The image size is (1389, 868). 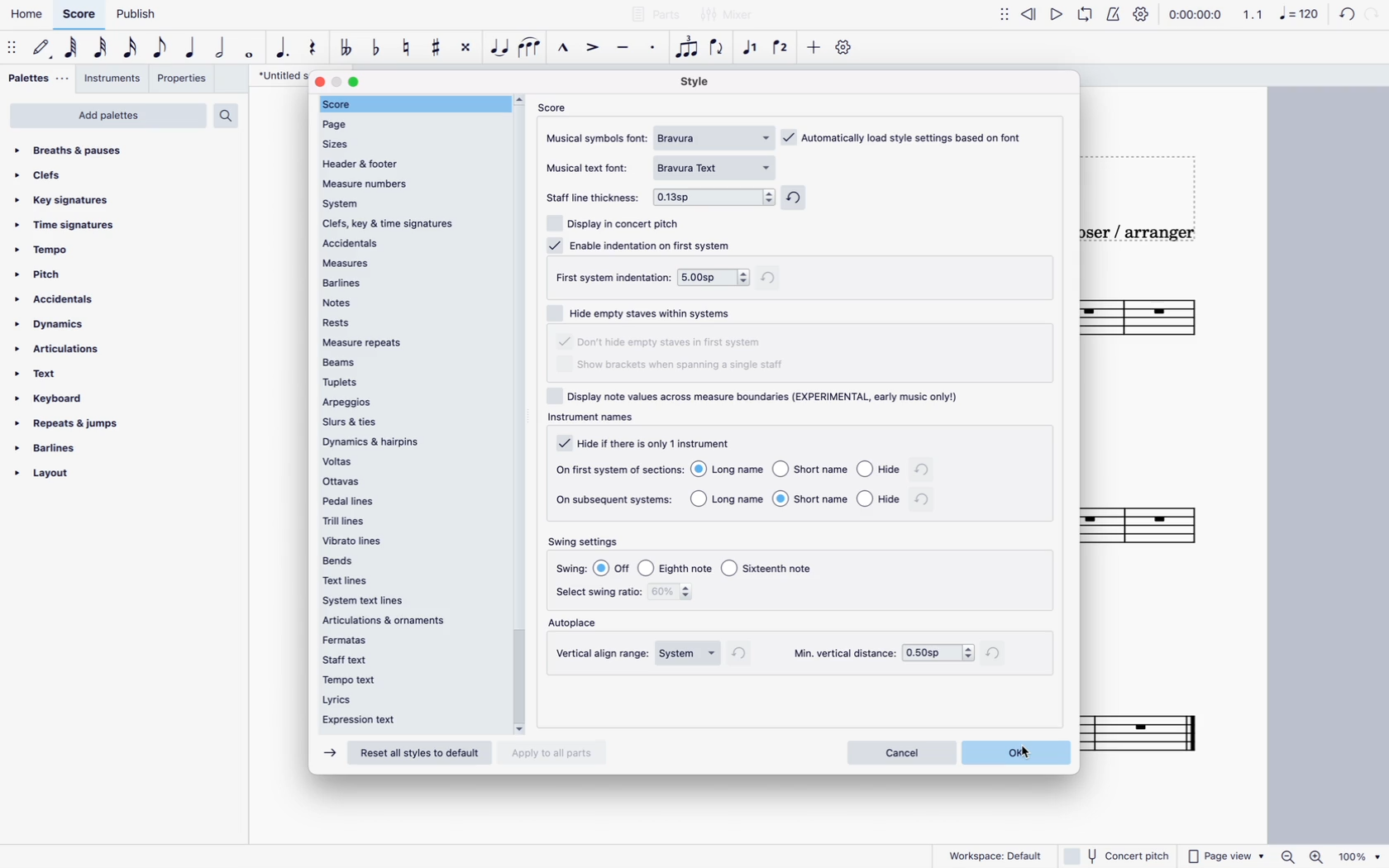 What do you see at coordinates (924, 500) in the screenshot?
I see `refresh` at bounding box center [924, 500].